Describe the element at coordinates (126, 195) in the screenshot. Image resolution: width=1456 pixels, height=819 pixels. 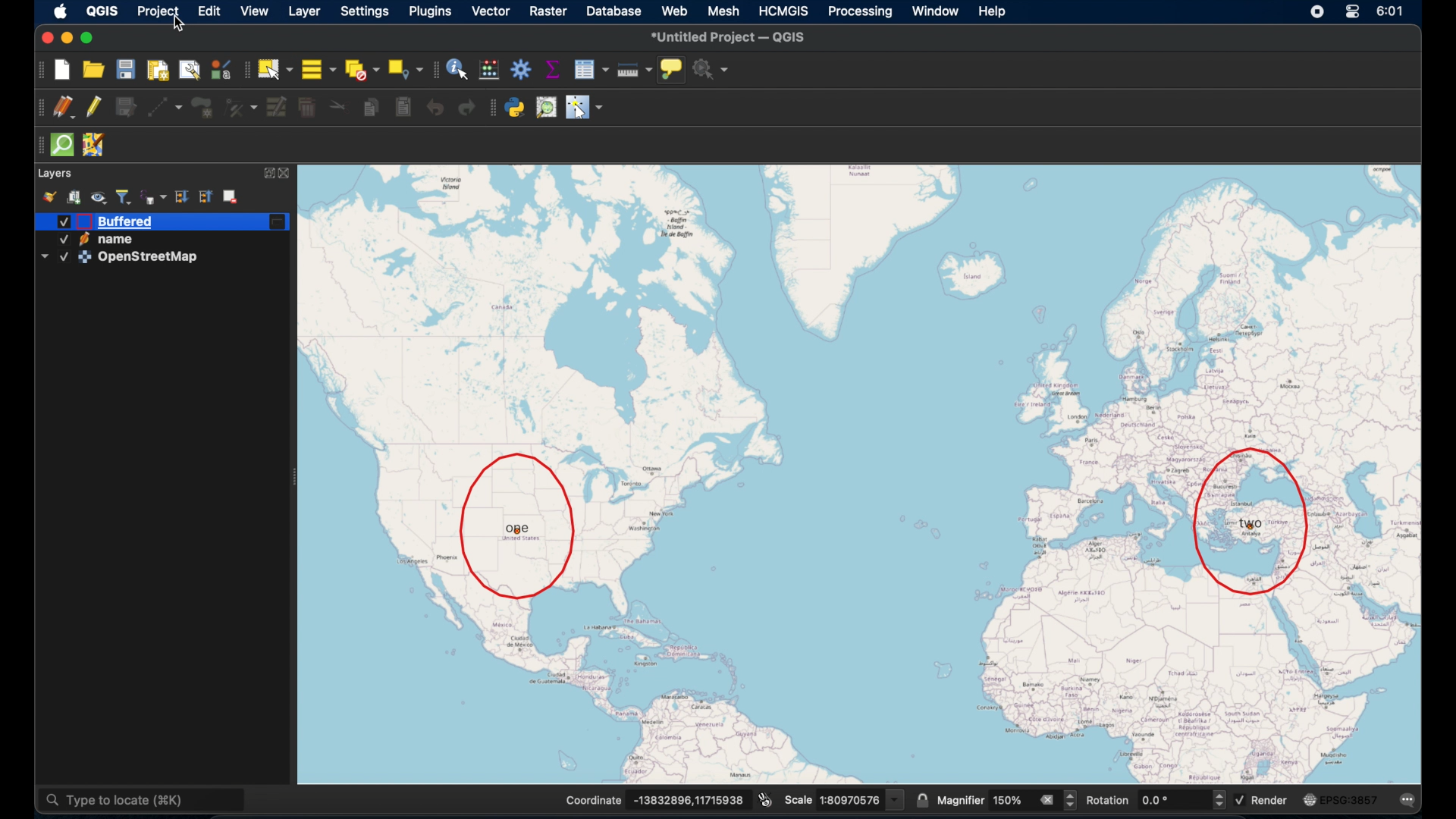
I see `filter legend` at that location.